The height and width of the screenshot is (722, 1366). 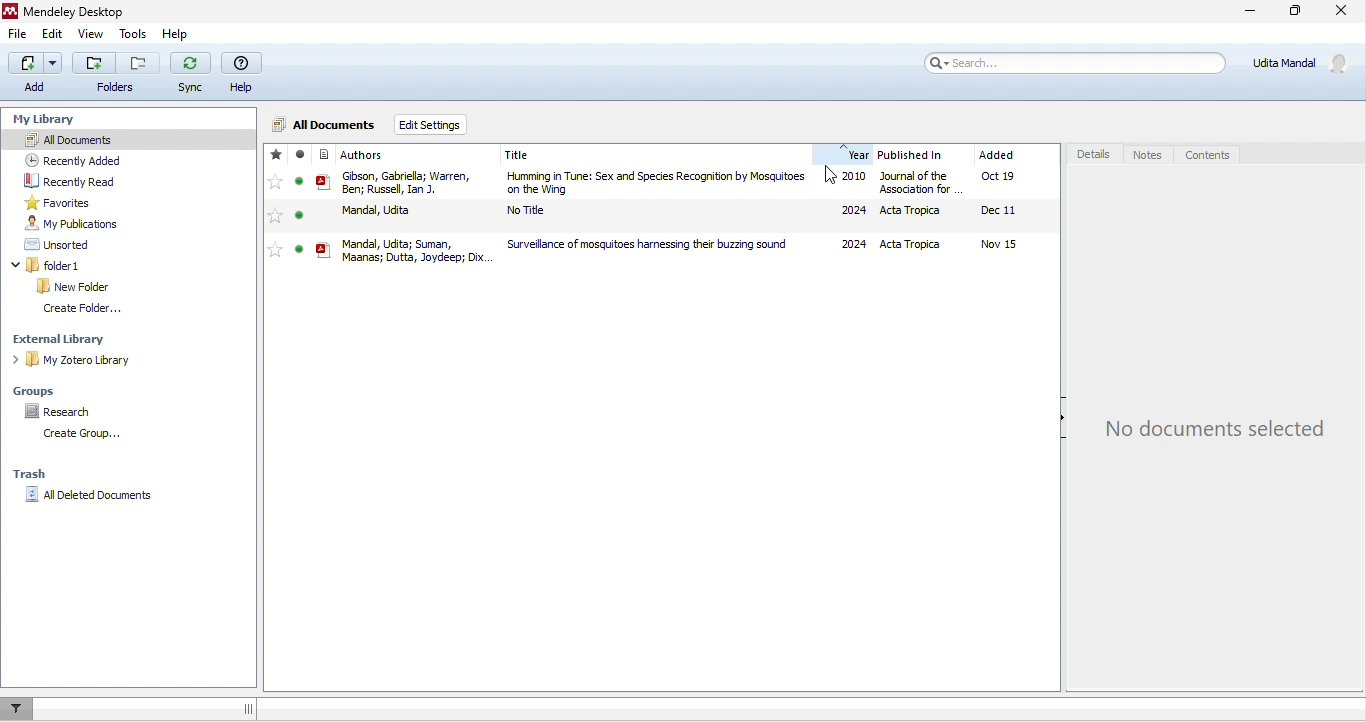 I want to click on recently read, so click(x=67, y=180).